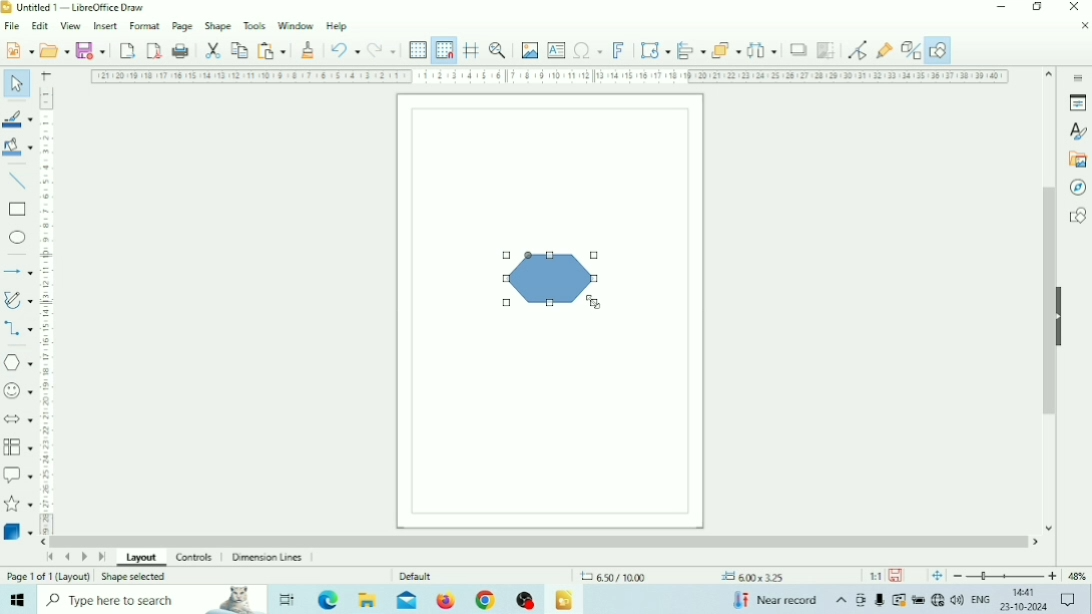  What do you see at coordinates (18, 119) in the screenshot?
I see `Line Color` at bounding box center [18, 119].